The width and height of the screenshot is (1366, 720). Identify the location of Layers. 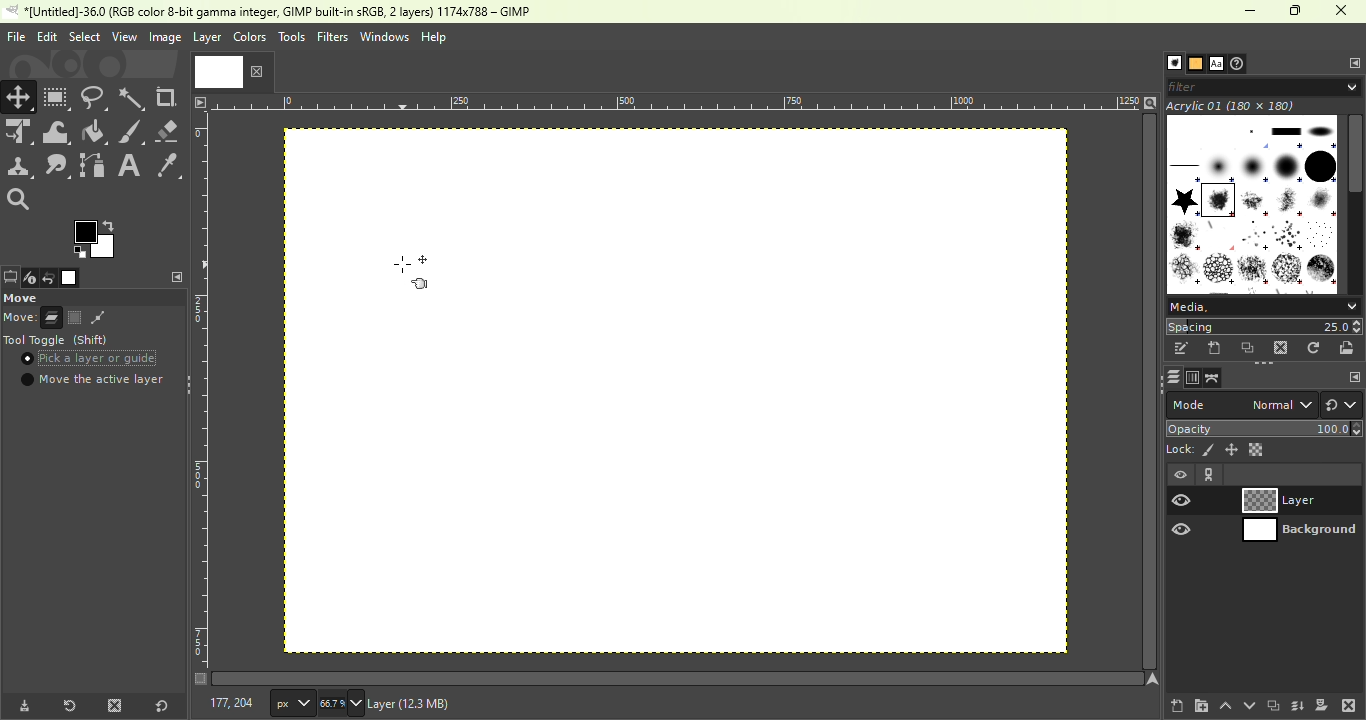
(1169, 377).